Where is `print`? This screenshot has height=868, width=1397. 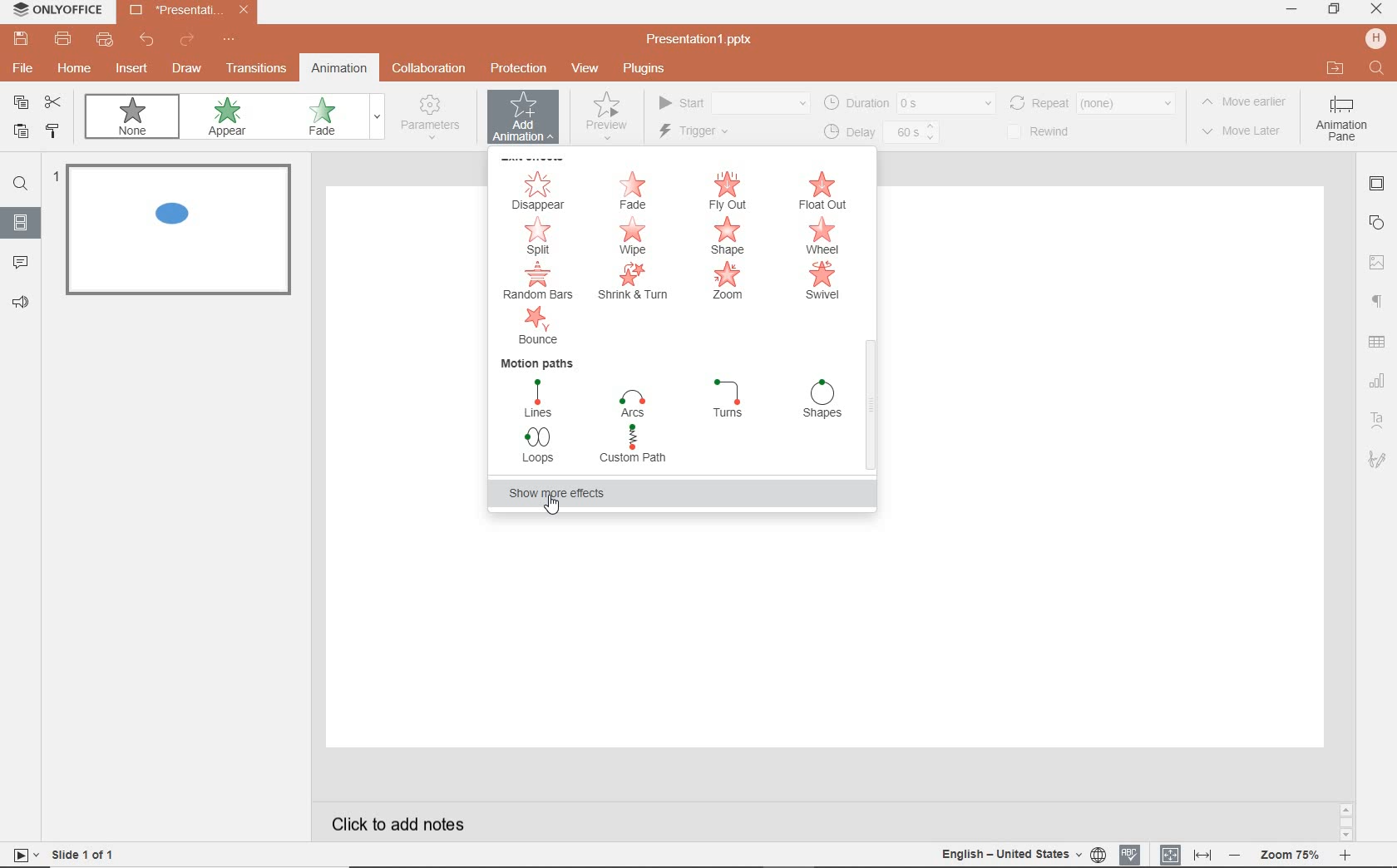
print is located at coordinates (63, 41).